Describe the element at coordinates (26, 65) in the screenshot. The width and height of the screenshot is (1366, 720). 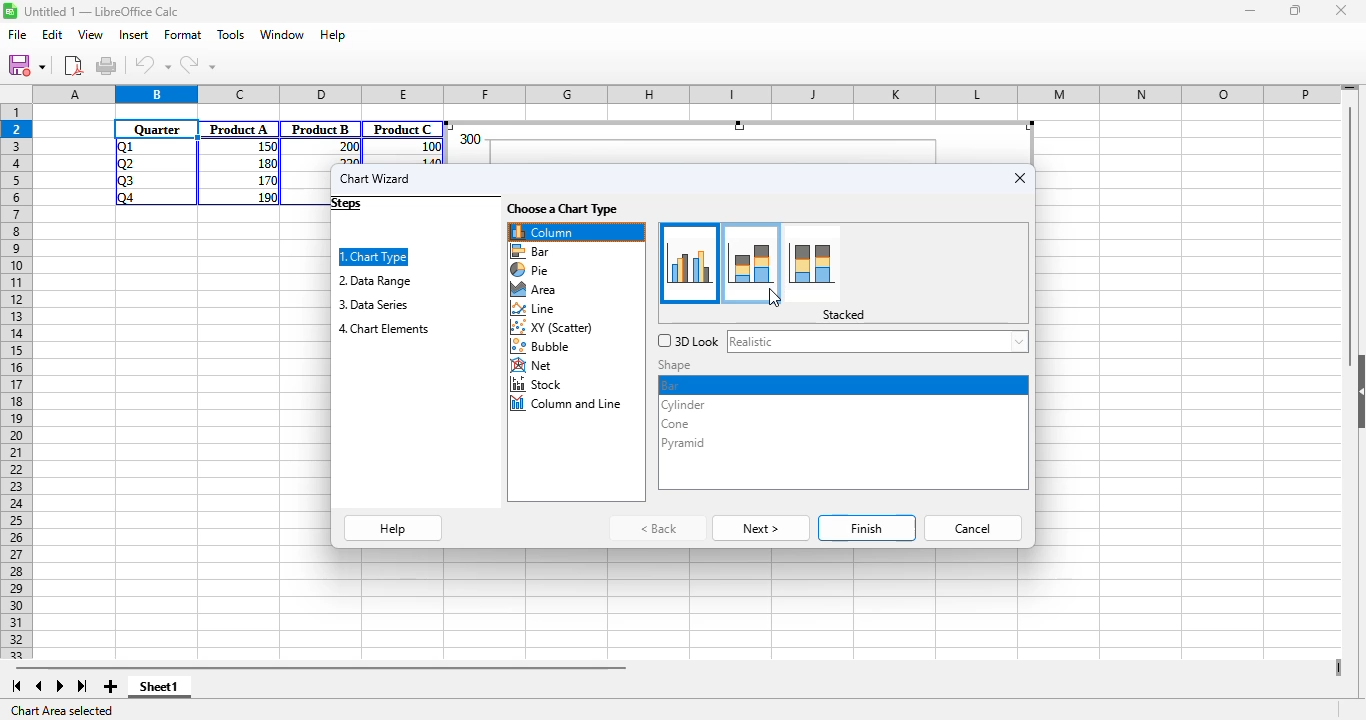
I see `save` at that location.